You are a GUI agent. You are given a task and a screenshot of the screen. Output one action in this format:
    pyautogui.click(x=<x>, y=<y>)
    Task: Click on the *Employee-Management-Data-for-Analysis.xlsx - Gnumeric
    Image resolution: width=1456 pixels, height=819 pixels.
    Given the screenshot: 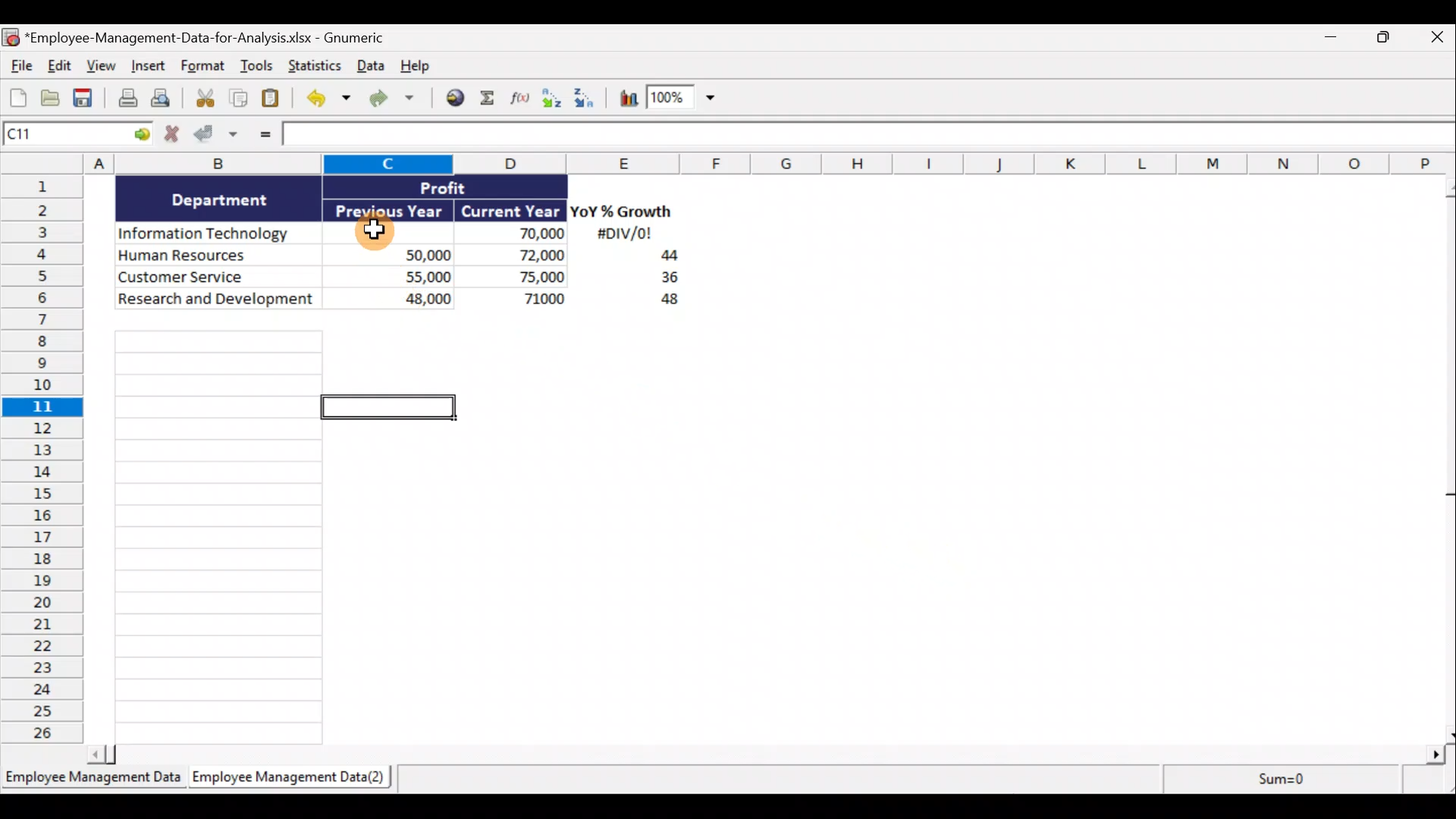 What is the action you would take?
    pyautogui.click(x=222, y=36)
    